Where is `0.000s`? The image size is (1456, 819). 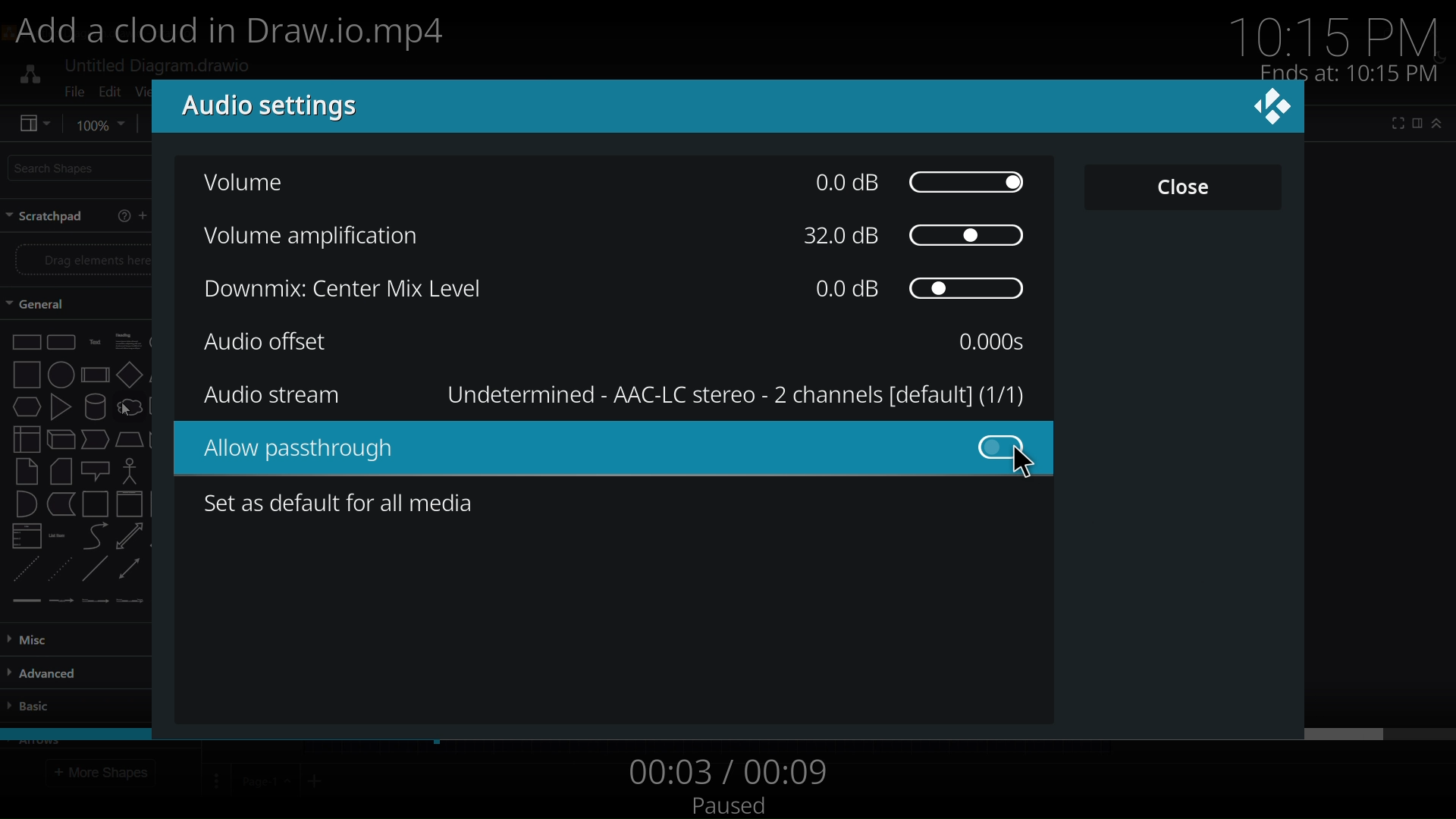
0.000s is located at coordinates (987, 344).